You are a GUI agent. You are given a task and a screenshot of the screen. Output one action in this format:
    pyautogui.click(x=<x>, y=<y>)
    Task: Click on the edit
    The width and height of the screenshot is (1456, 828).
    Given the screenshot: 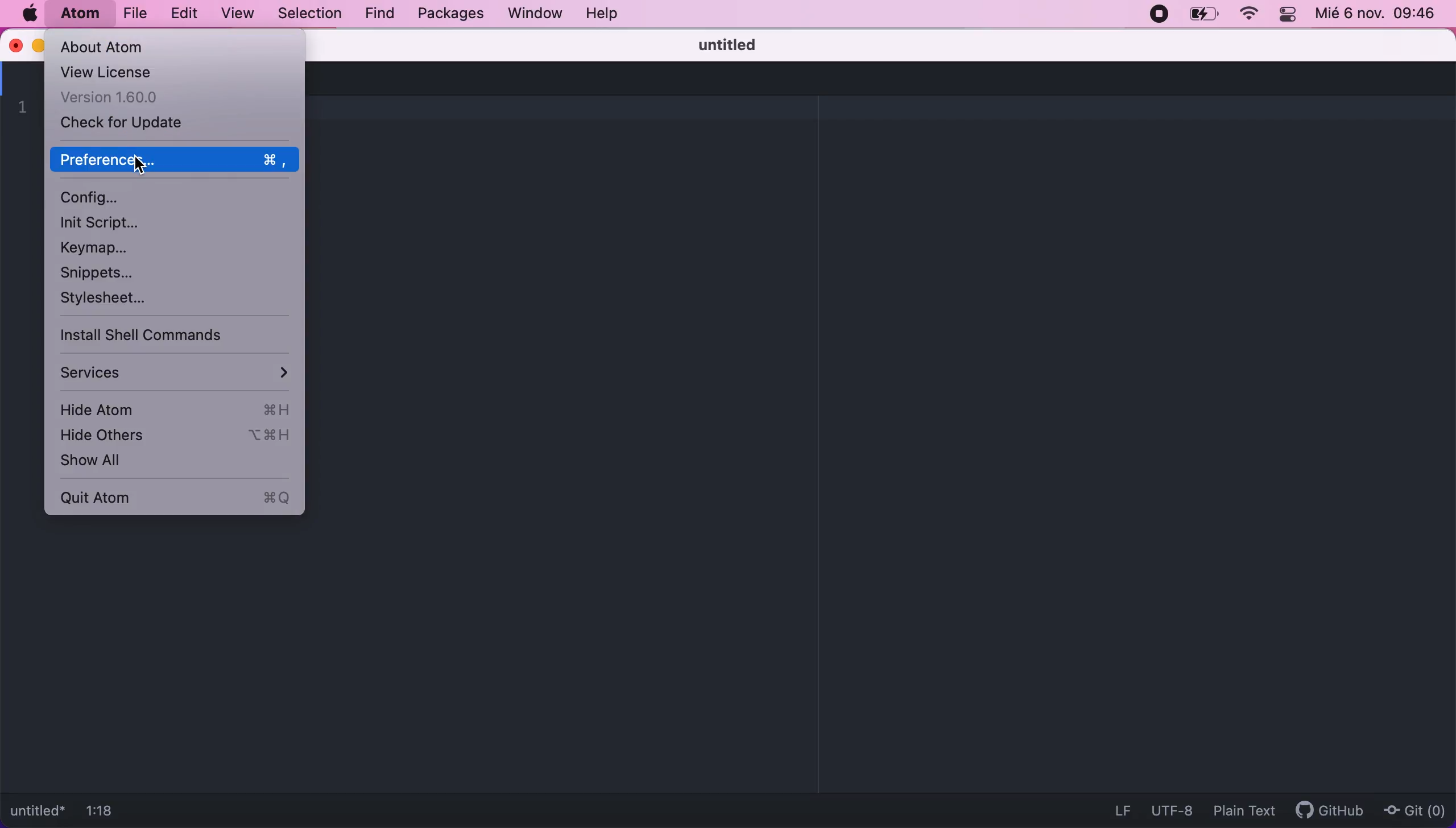 What is the action you would take?
    pyautogui.click(x=182, y=15)
    